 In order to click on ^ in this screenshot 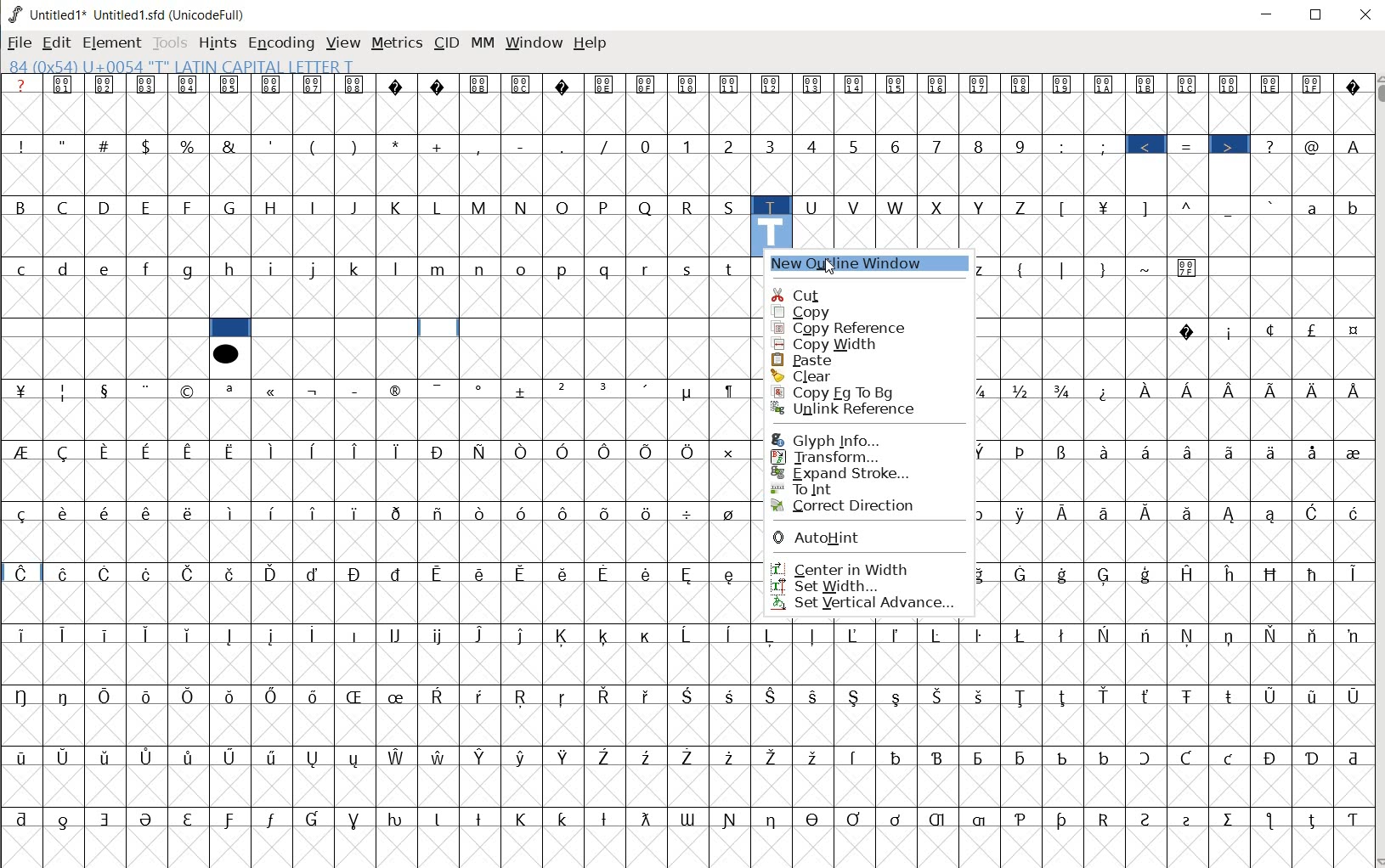, I will do `click(1190, 206)`.